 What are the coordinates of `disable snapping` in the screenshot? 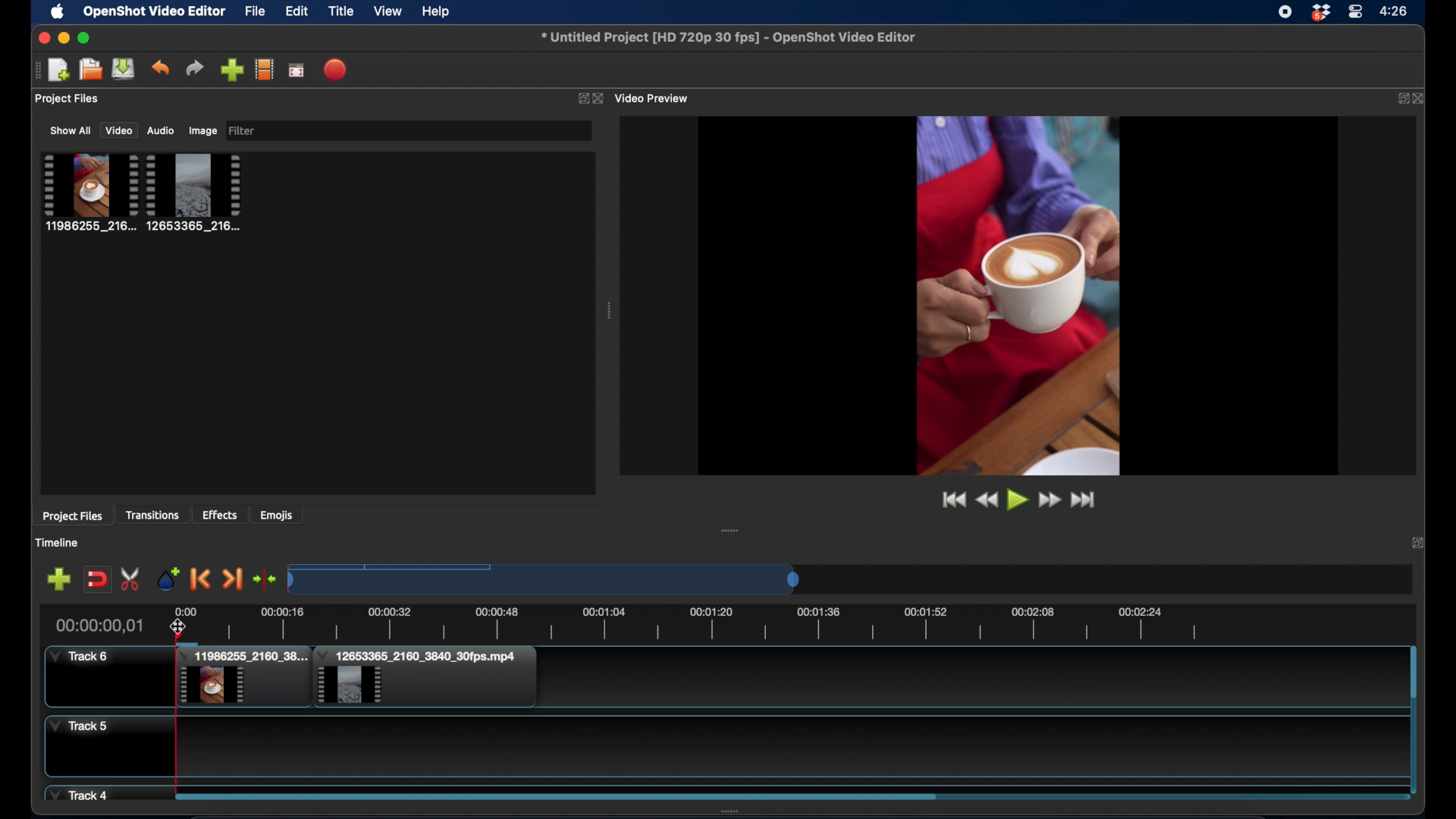 It's located at (97, 578).